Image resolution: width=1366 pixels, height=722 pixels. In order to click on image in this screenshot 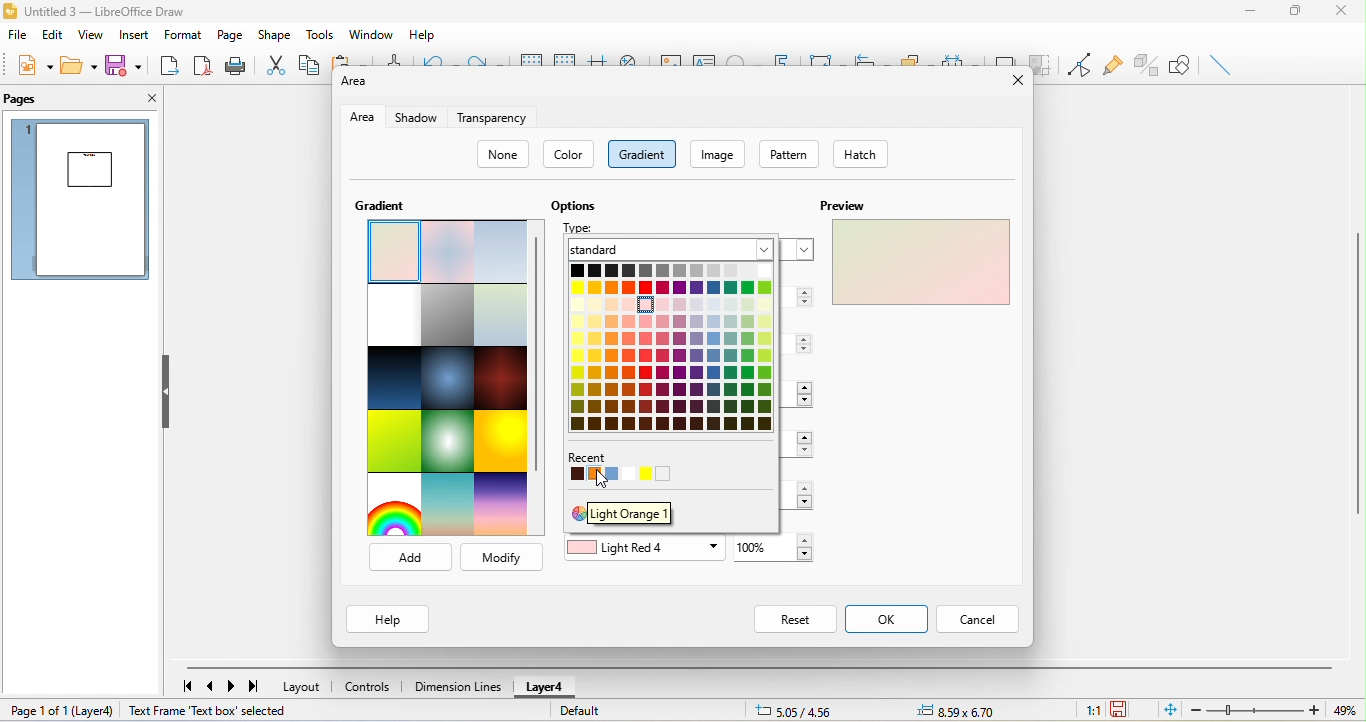, I will do `click(719, 153)`.